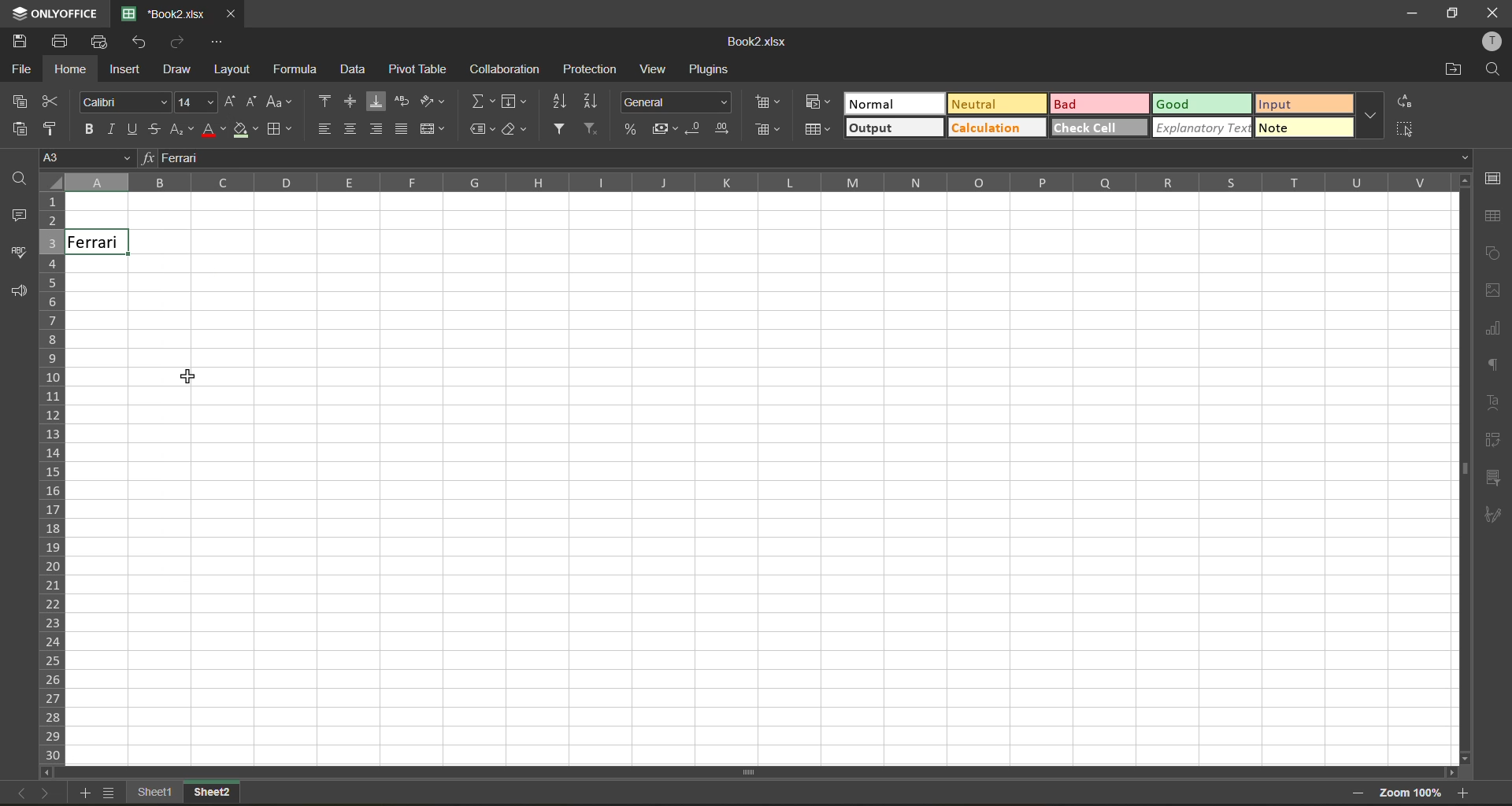  Describe the element at coordinates (243, 130) in the screenshot. I see `fill color` at that location.